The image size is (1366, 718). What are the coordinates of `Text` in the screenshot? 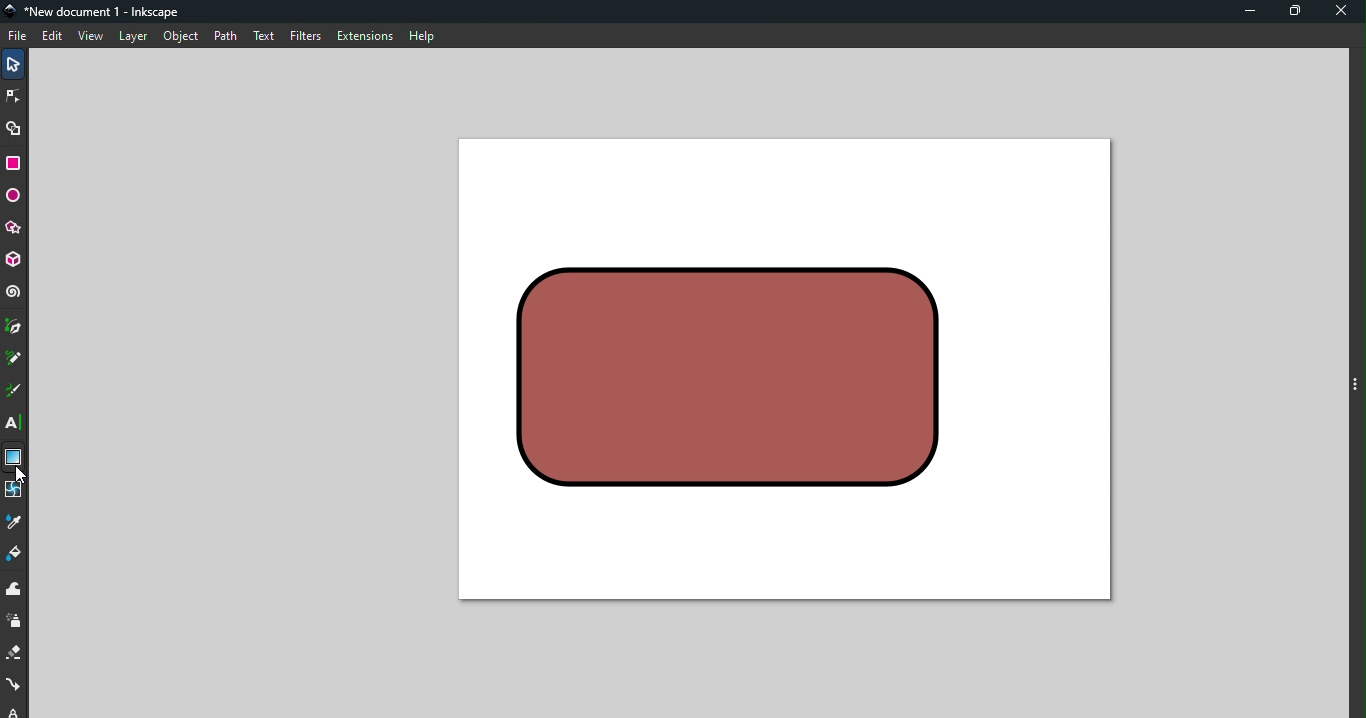 It's located at (263, 34).